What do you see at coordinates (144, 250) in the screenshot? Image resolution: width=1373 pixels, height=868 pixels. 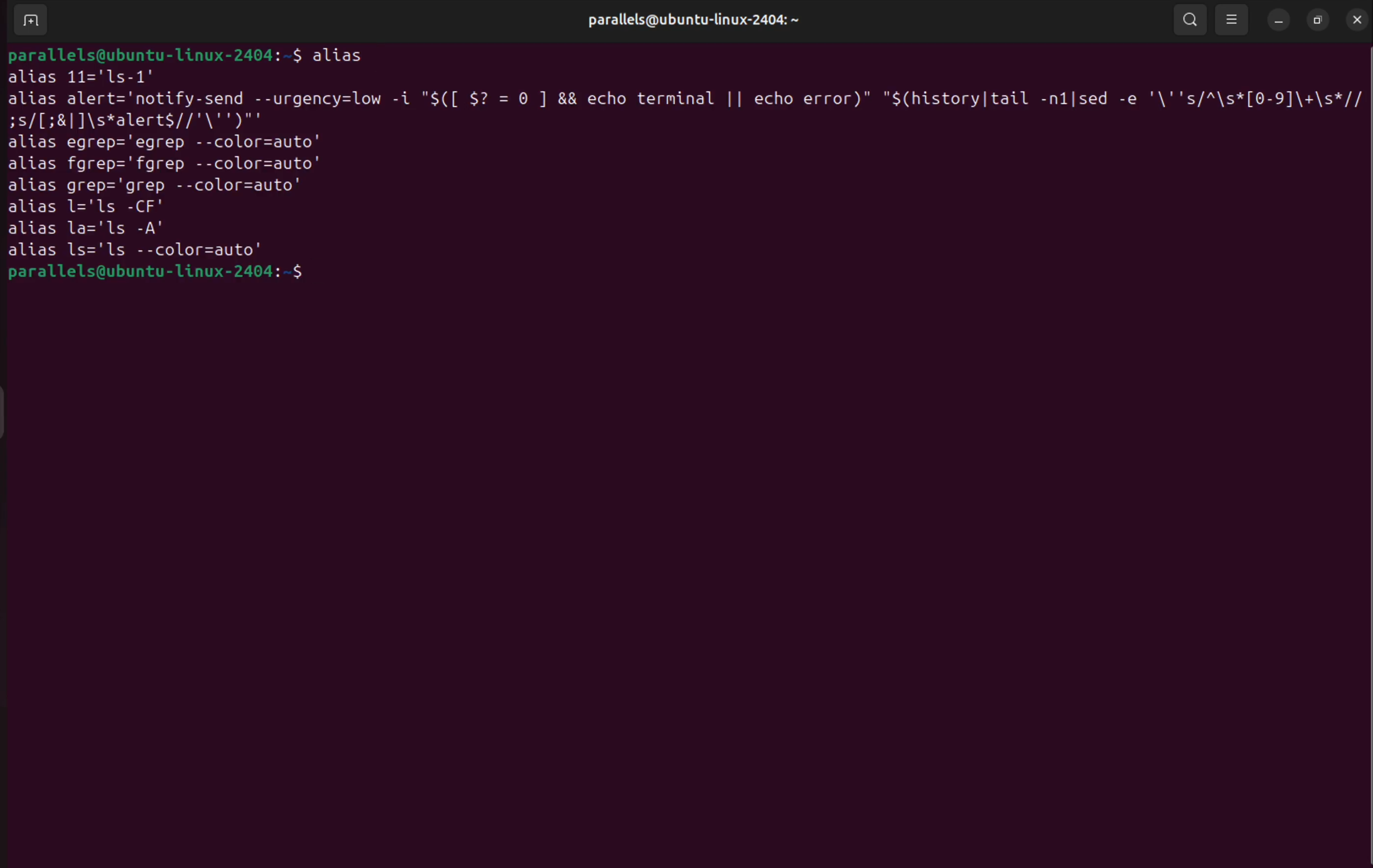 I see `alias ls ` at bounding box center [144, 250].